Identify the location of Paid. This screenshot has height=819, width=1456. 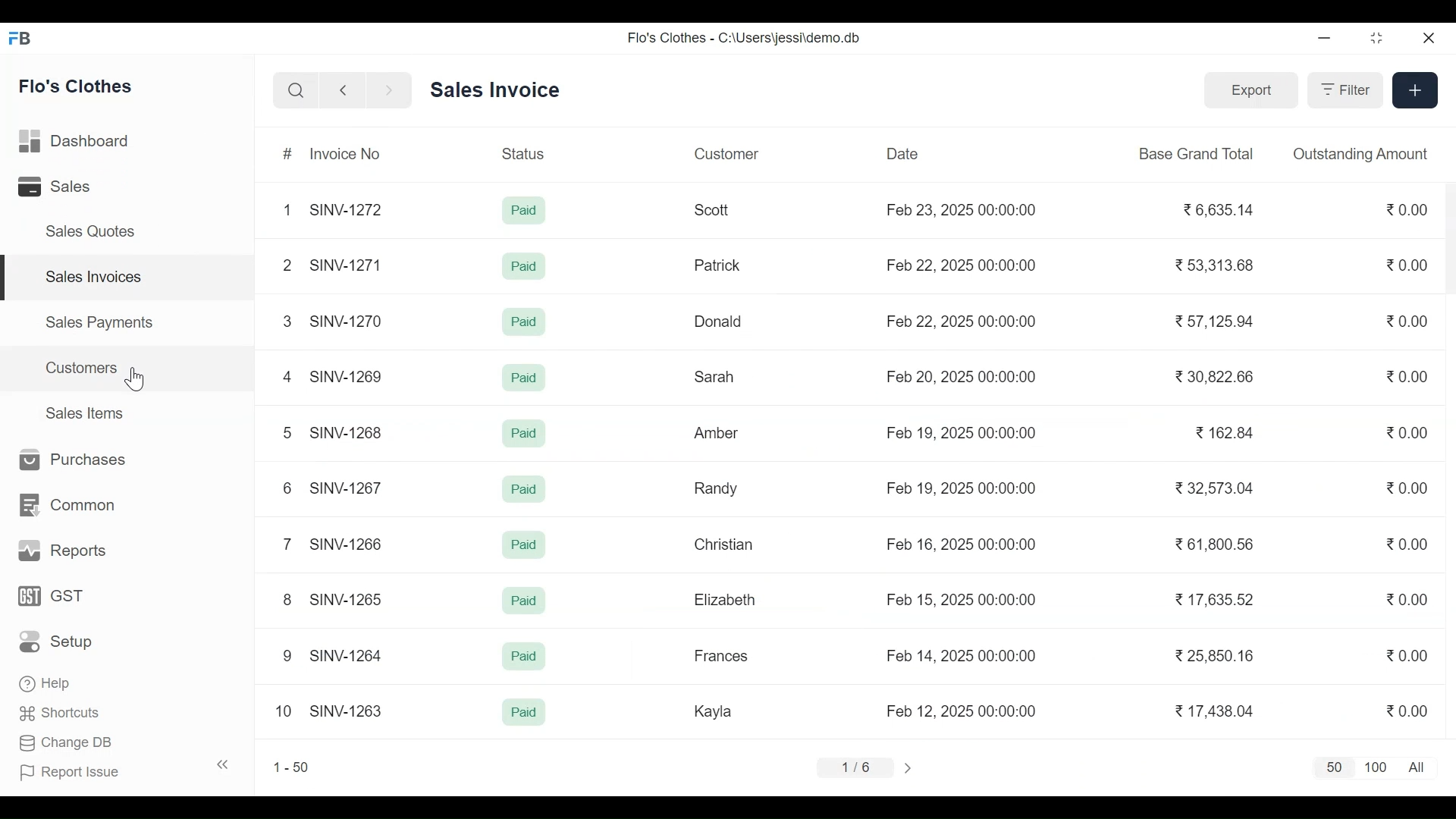
(523, 544).